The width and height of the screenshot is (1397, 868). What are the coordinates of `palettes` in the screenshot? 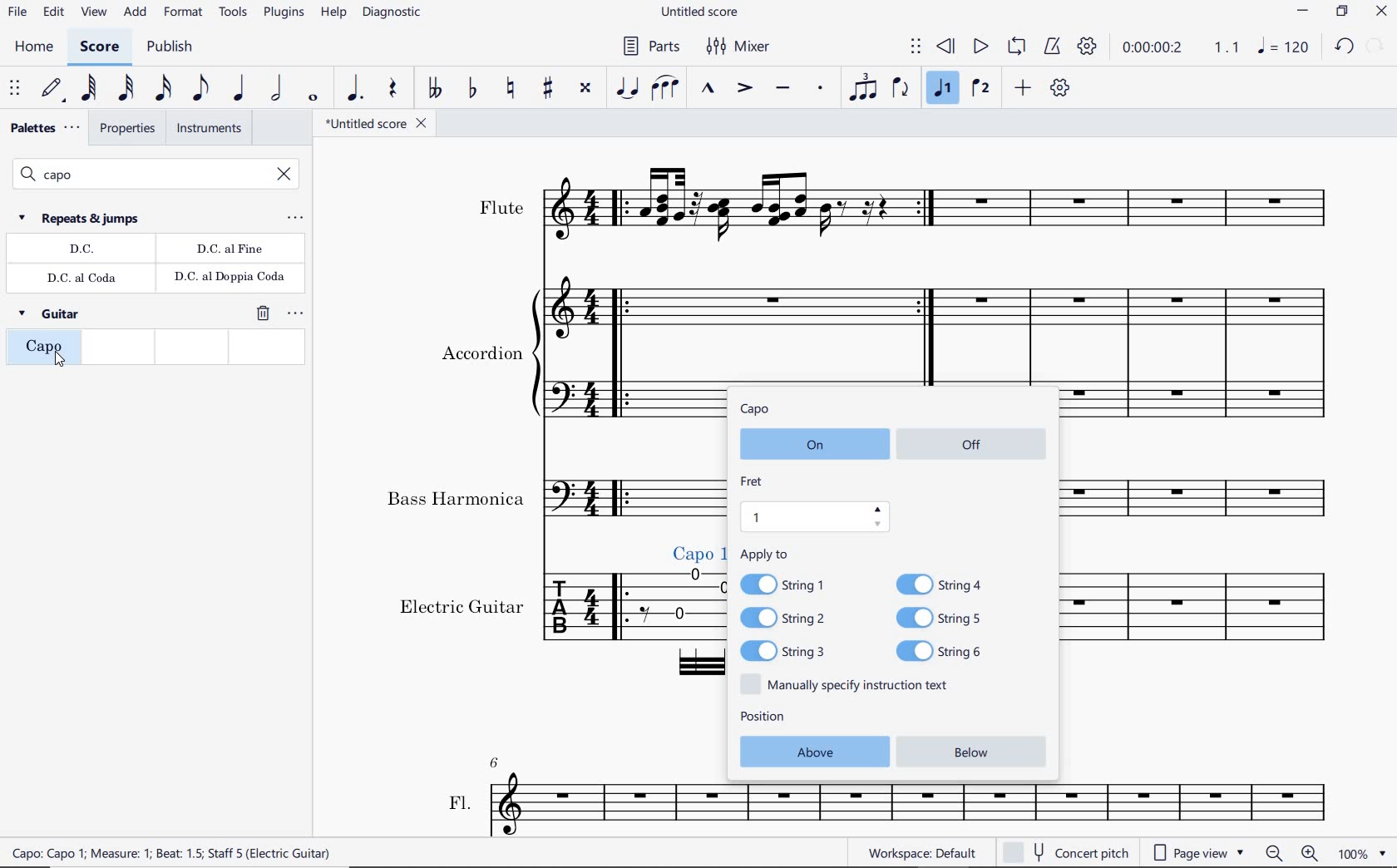 It's located at (43, 128).